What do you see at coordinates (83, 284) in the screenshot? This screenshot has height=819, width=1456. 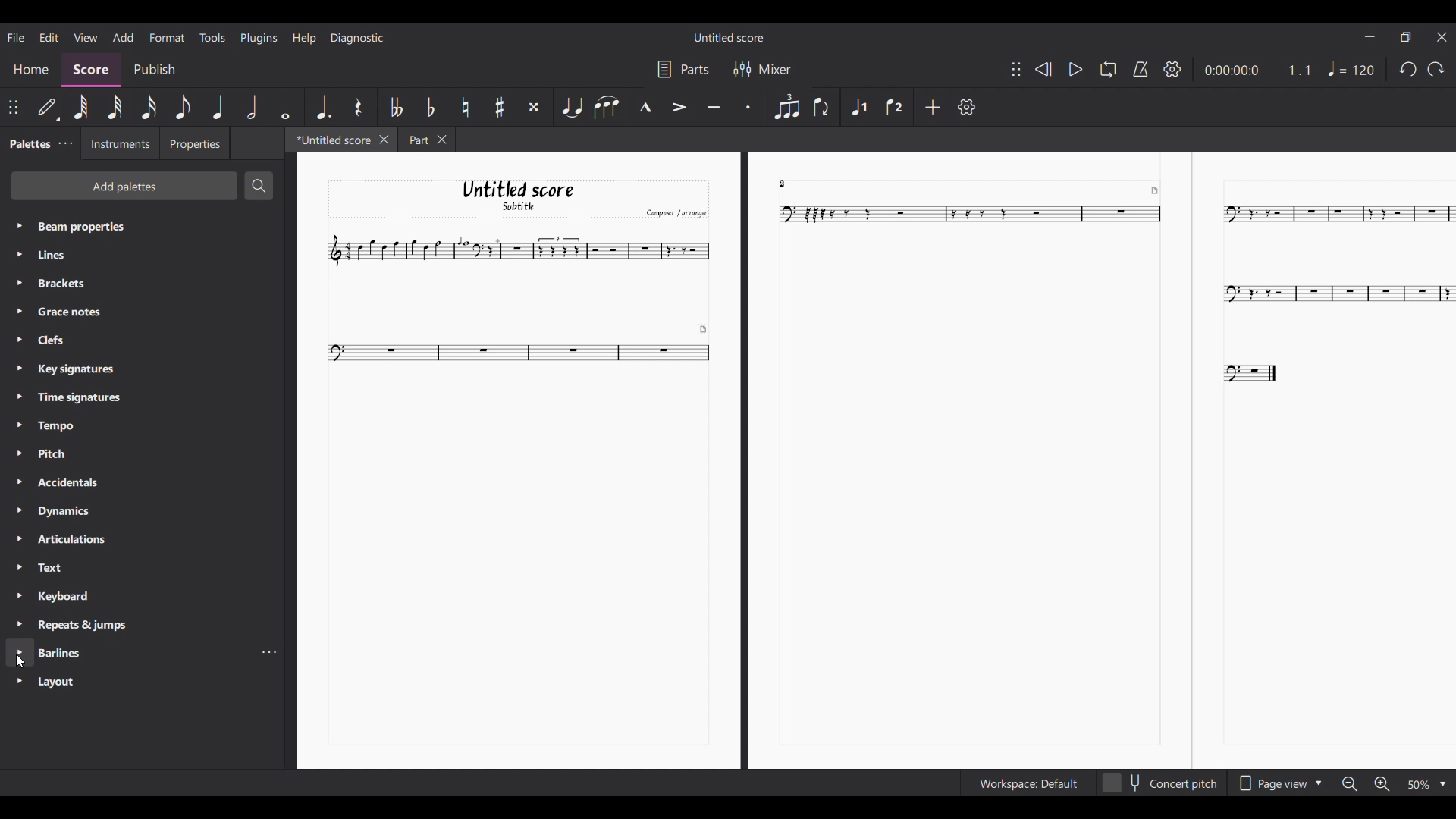 I see `Palette settings` at bounding box center [83, 284].